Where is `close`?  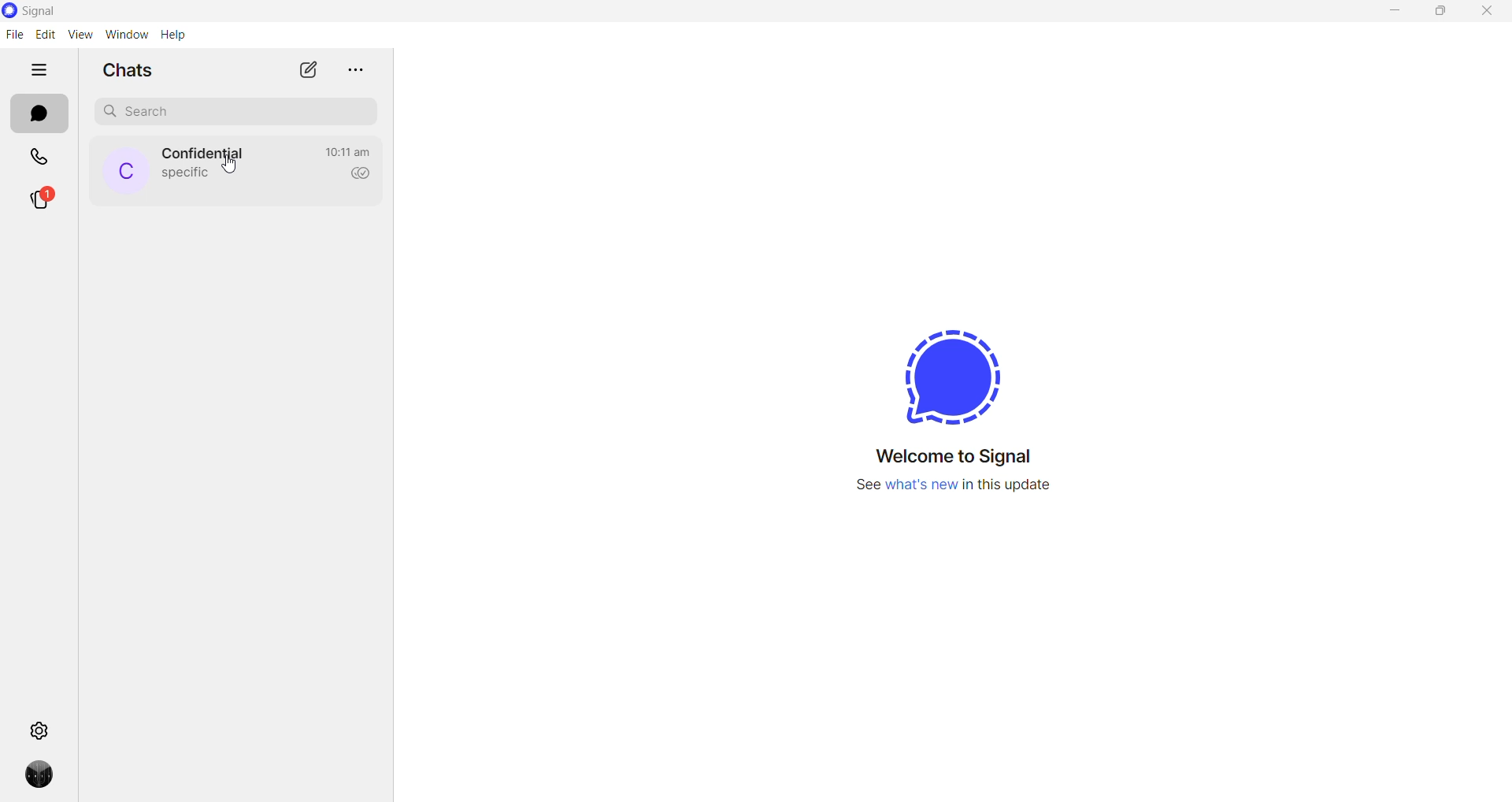
close is located at coordinates (1492, 13).